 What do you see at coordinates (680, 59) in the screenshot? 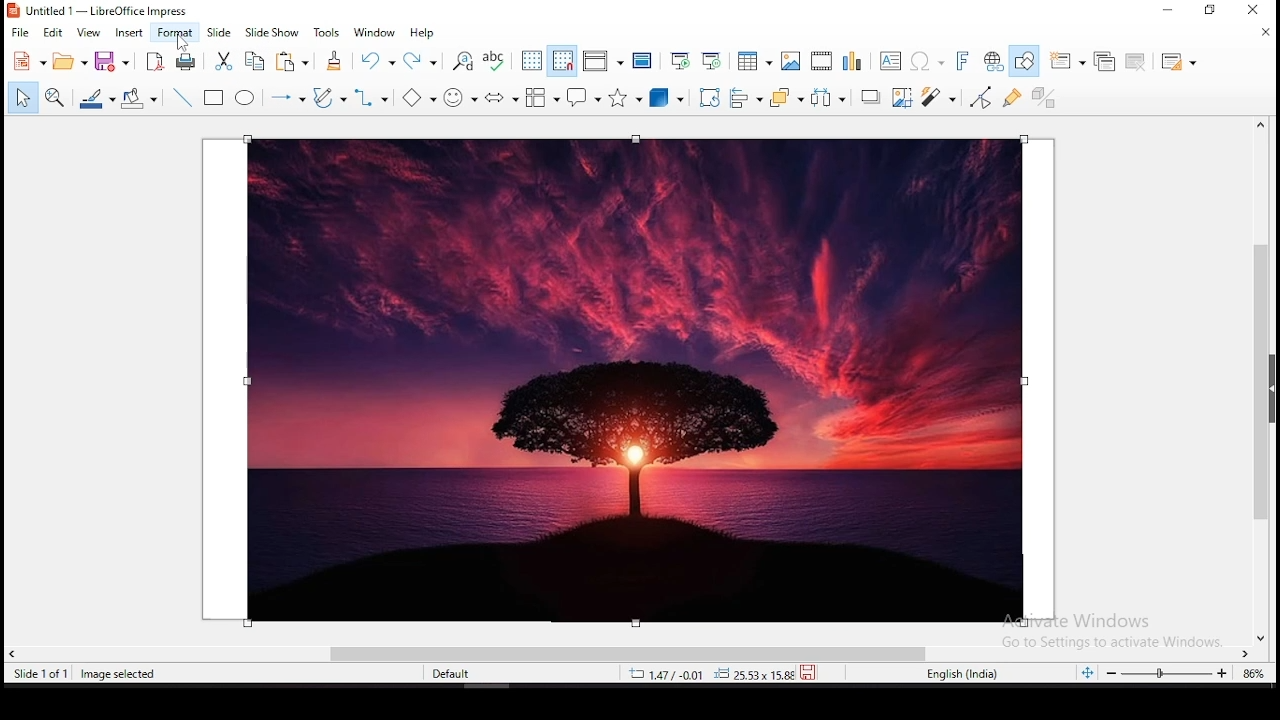
I see `start from first slide` at bounding box center [680, 59].